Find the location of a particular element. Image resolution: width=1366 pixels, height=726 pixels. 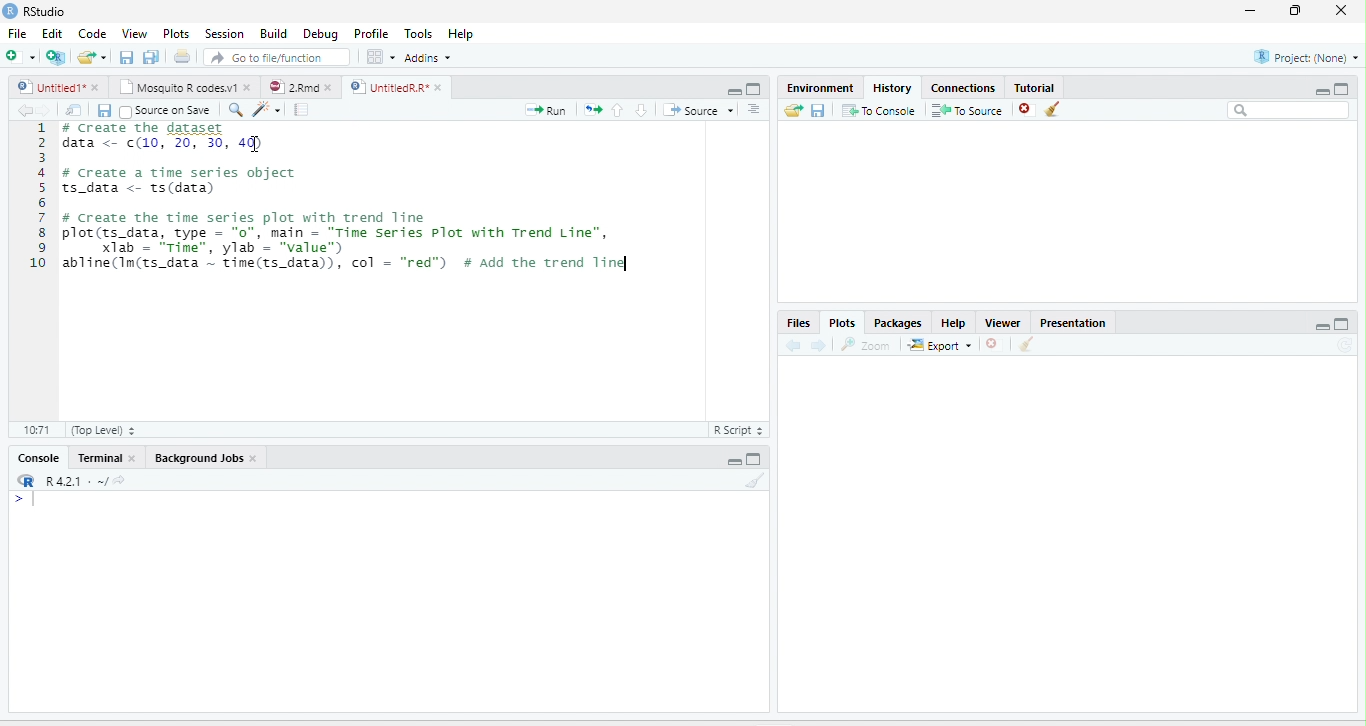

Workspace panes is located at coordinates (379, 56).